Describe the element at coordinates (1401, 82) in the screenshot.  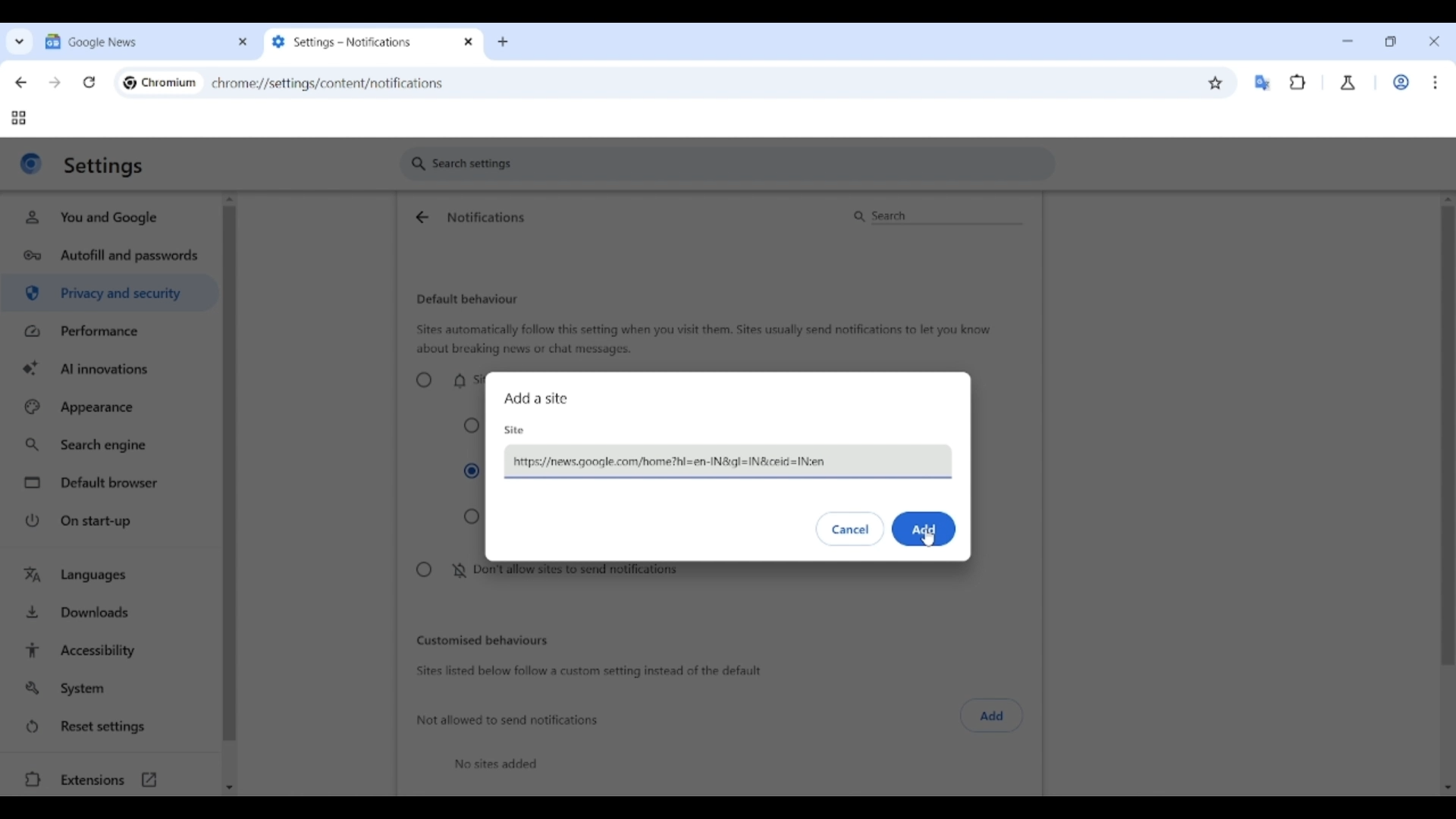
I see `Work` at that location.